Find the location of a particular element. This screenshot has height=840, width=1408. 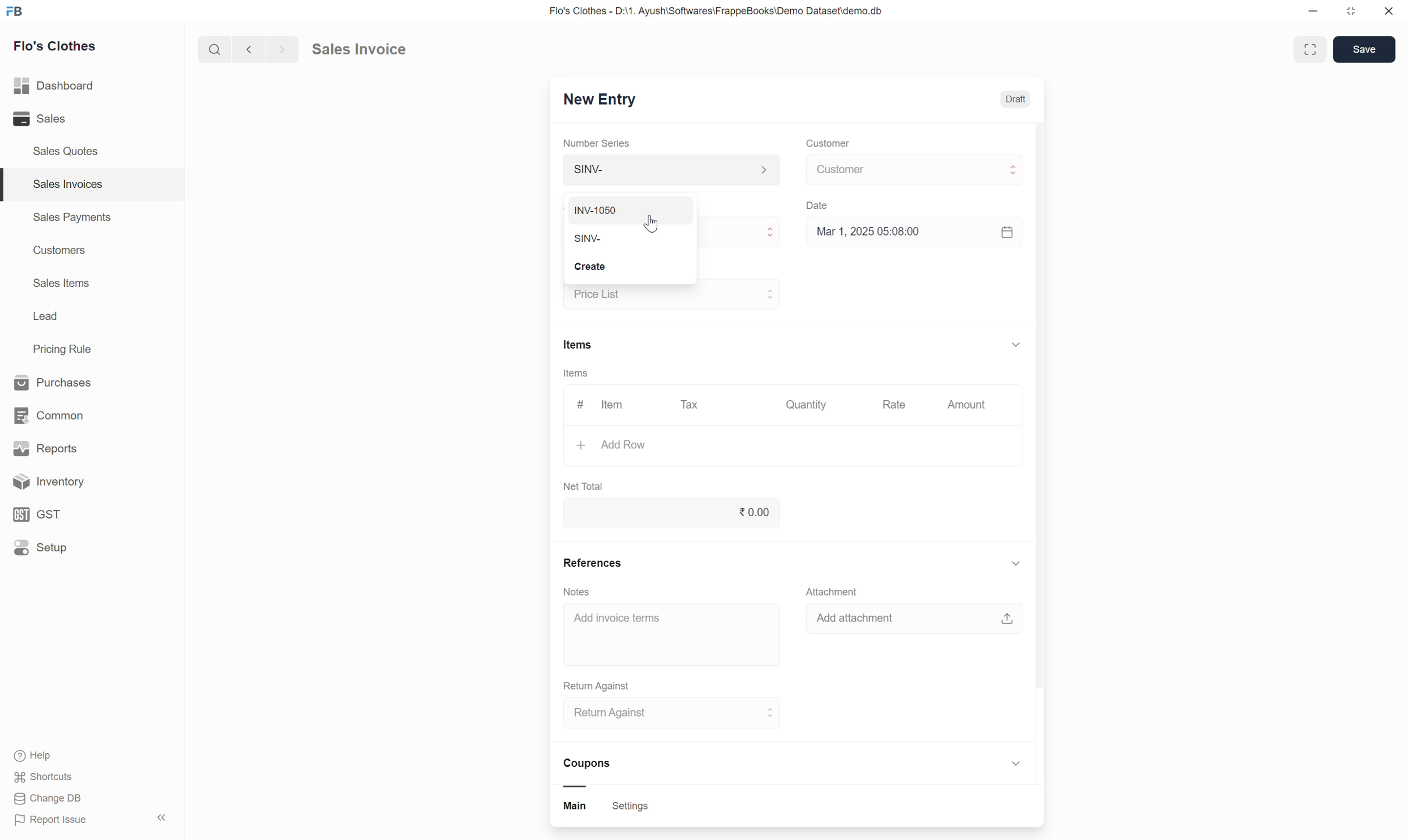

Number Series is located at coordinates (598, 144).